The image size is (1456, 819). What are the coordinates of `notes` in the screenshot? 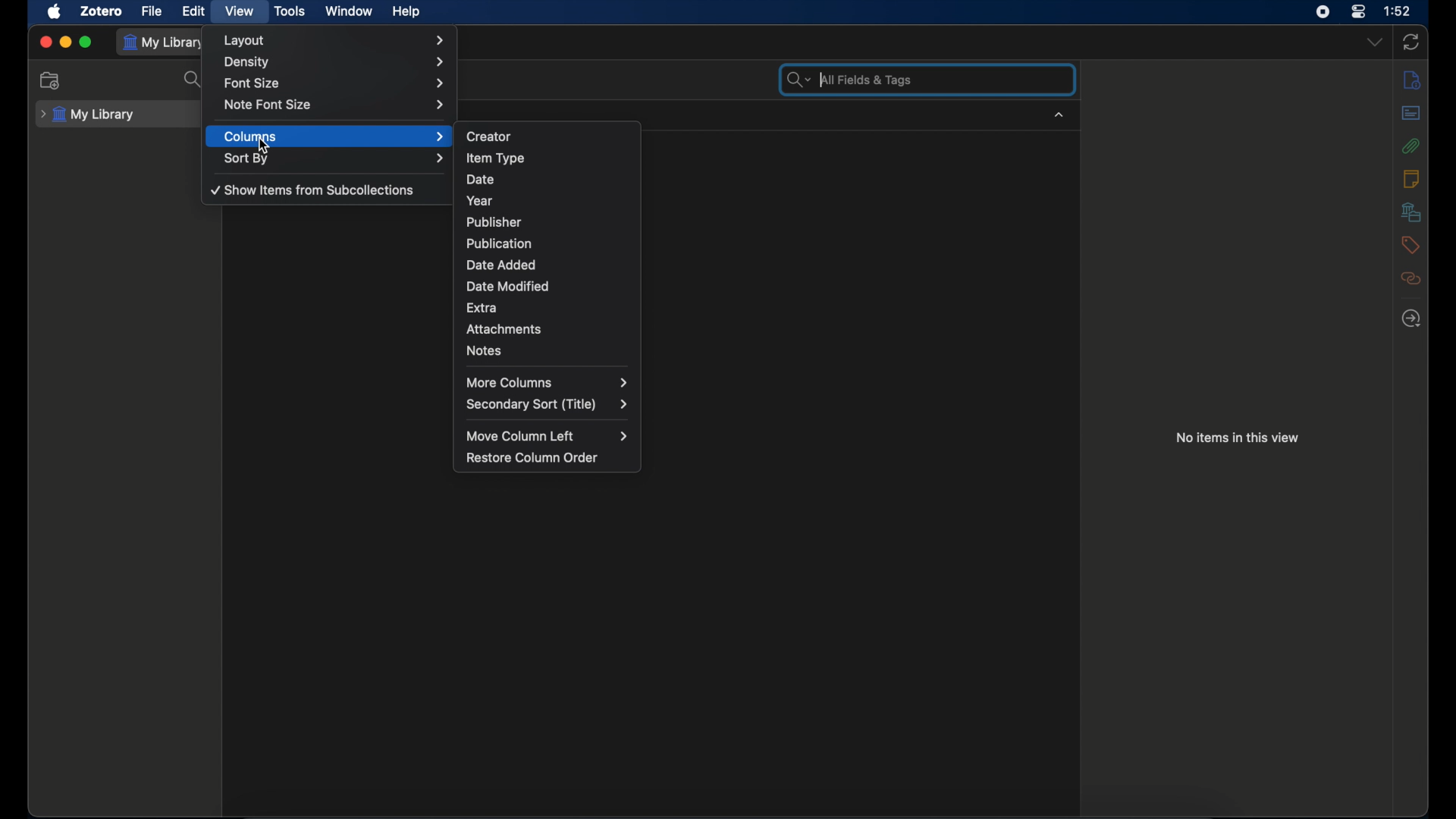 It's located at (1411, 178).